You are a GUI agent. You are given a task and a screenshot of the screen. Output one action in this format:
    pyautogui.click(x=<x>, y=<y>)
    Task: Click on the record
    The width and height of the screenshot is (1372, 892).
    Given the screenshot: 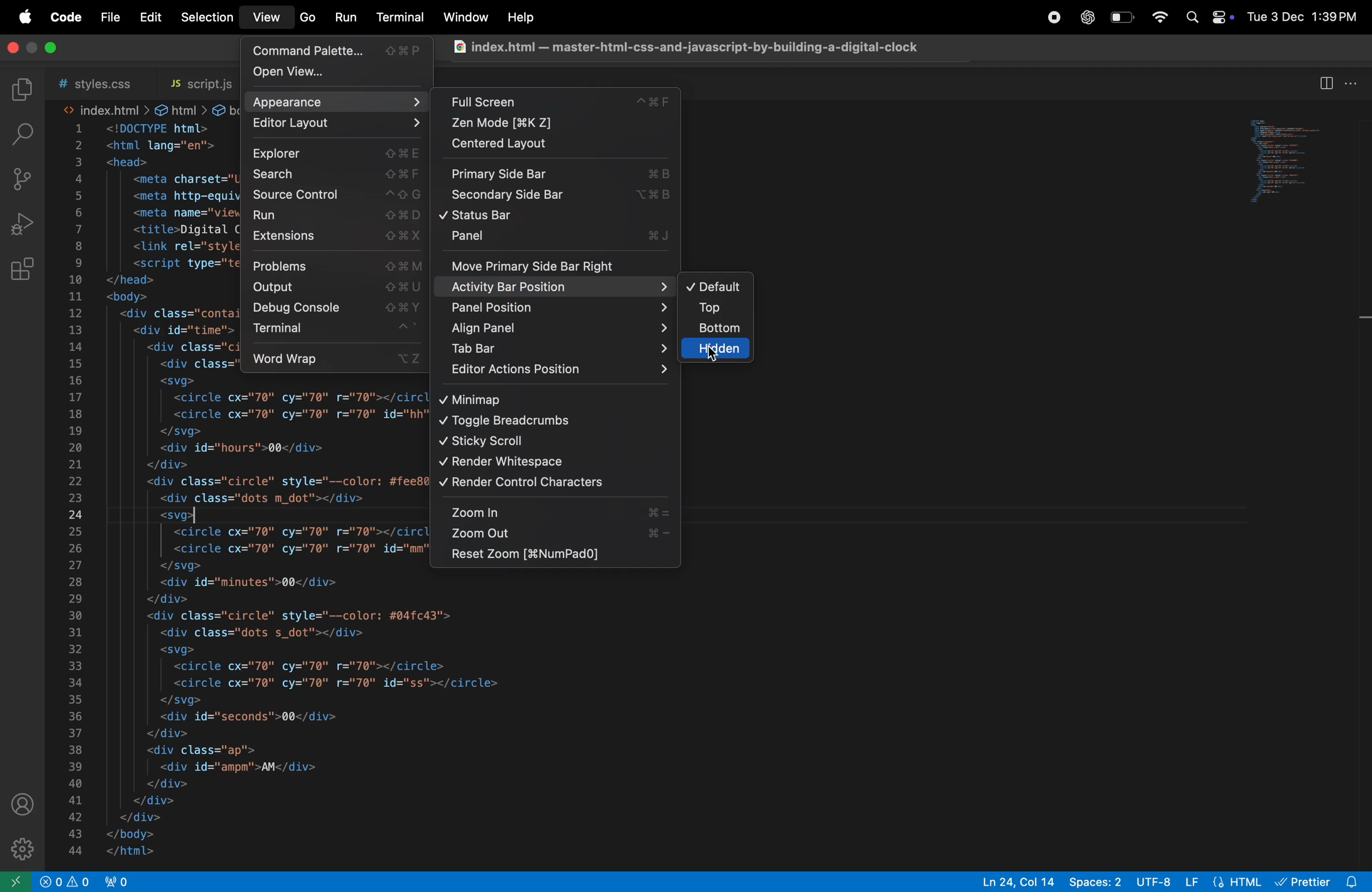 What is the action you would take?
    pyautogui.click(x=1048, y=18)
    